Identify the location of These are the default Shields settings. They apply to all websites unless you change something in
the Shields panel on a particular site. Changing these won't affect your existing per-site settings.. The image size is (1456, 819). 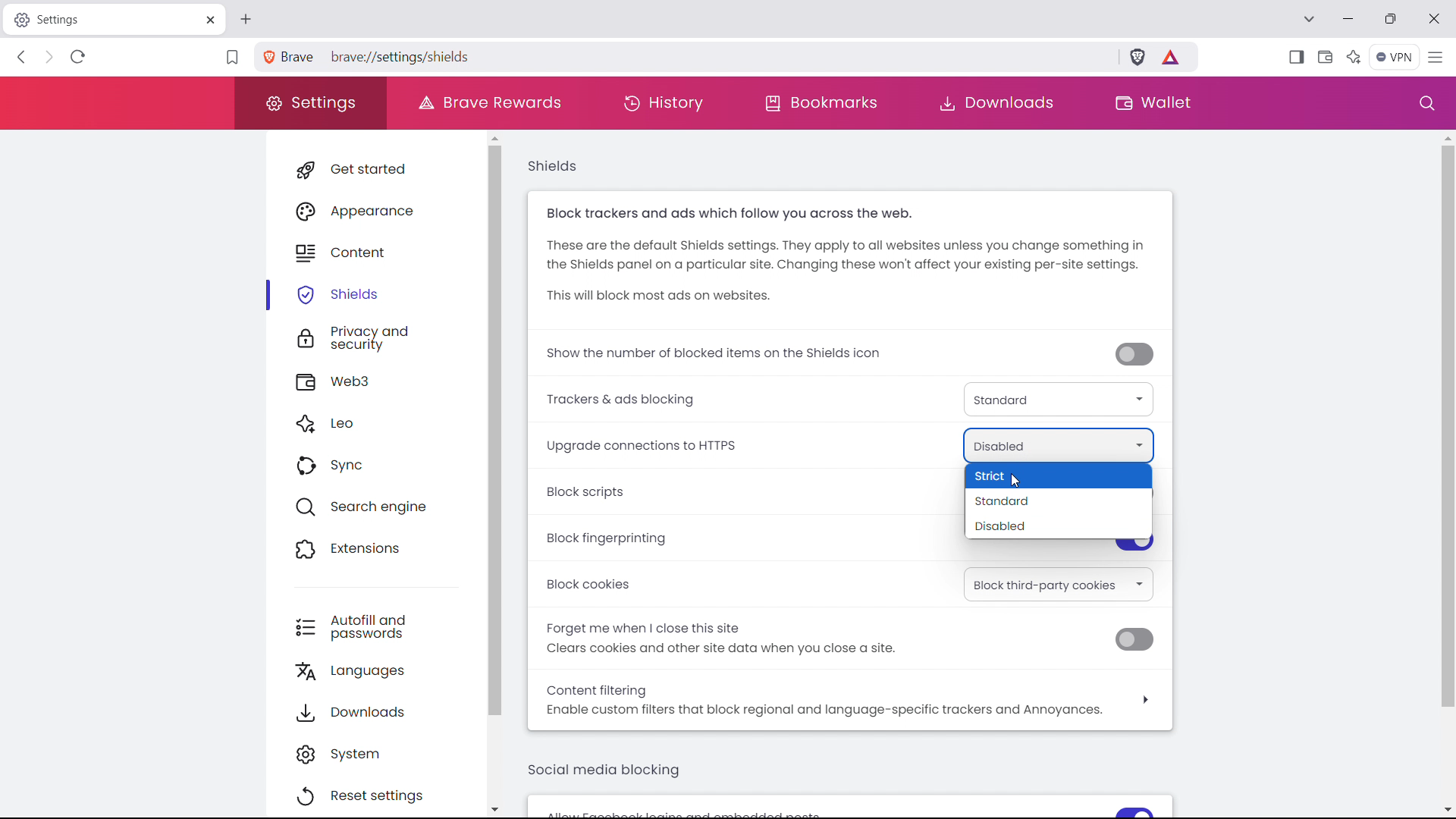
(852, 255).